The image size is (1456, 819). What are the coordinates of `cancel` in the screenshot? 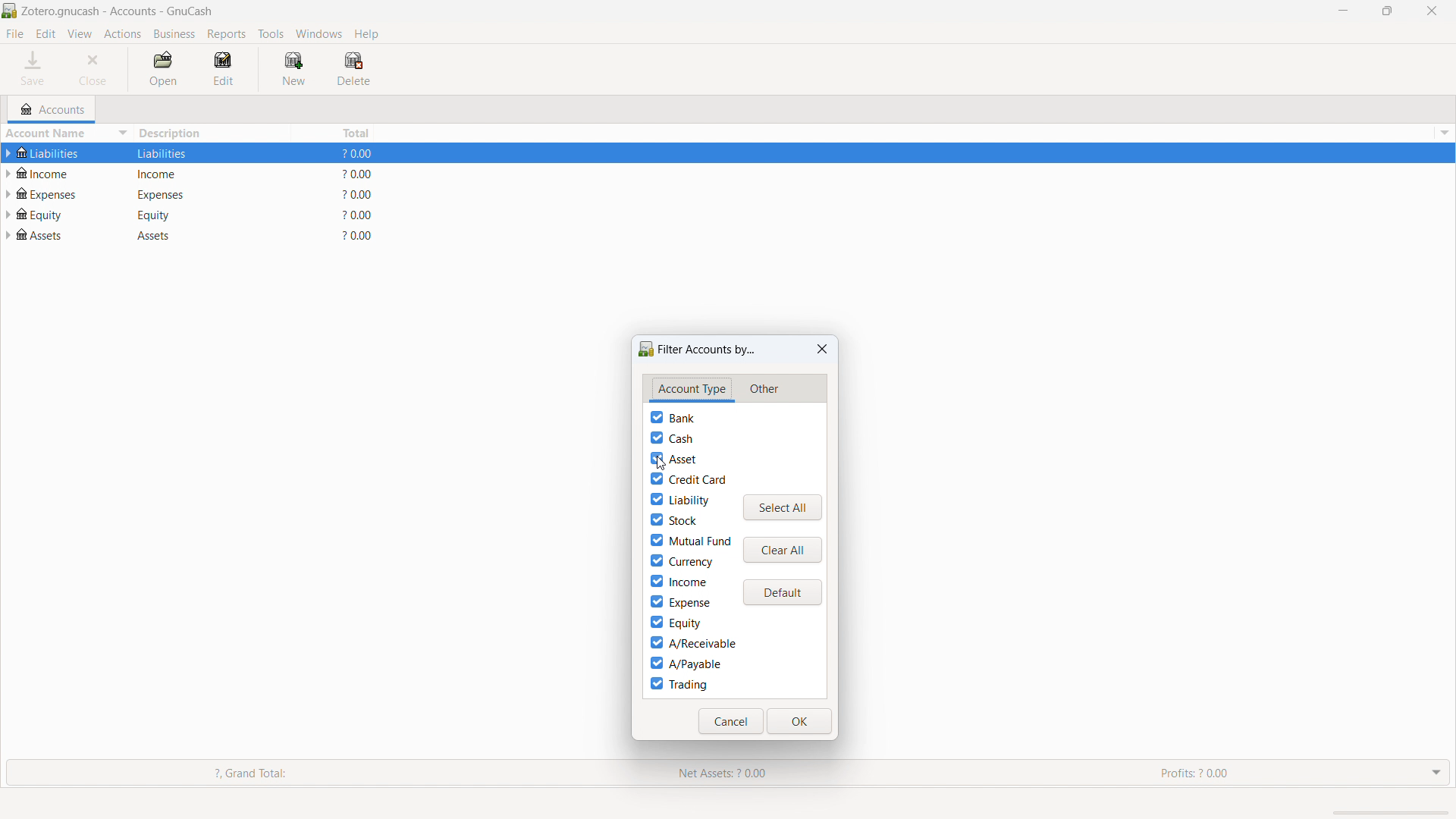 It's located at (731, 721).